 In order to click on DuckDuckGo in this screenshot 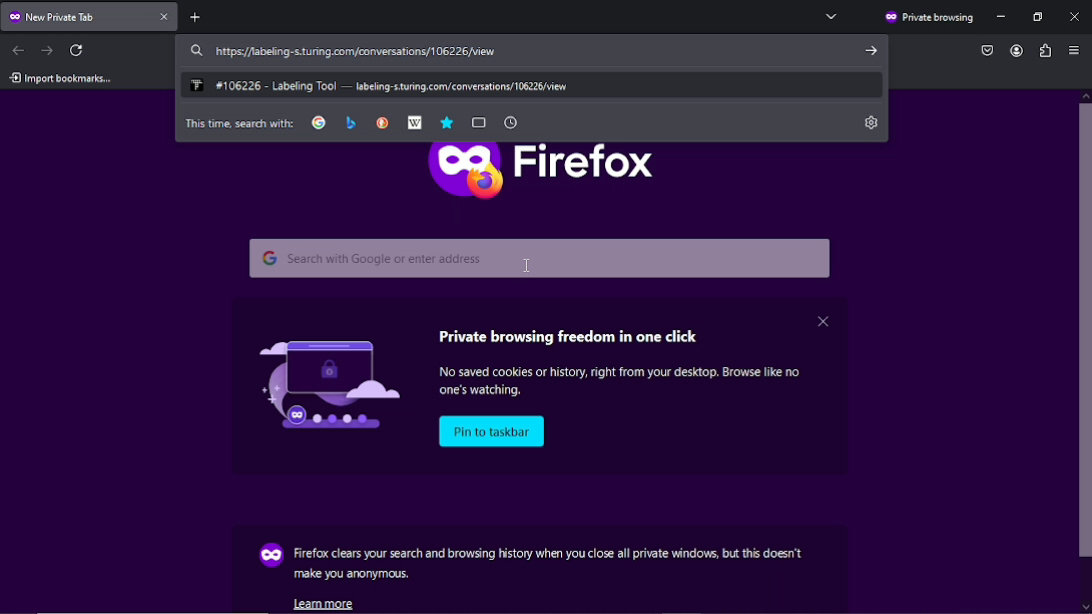, I will do `click(382, 122)`.